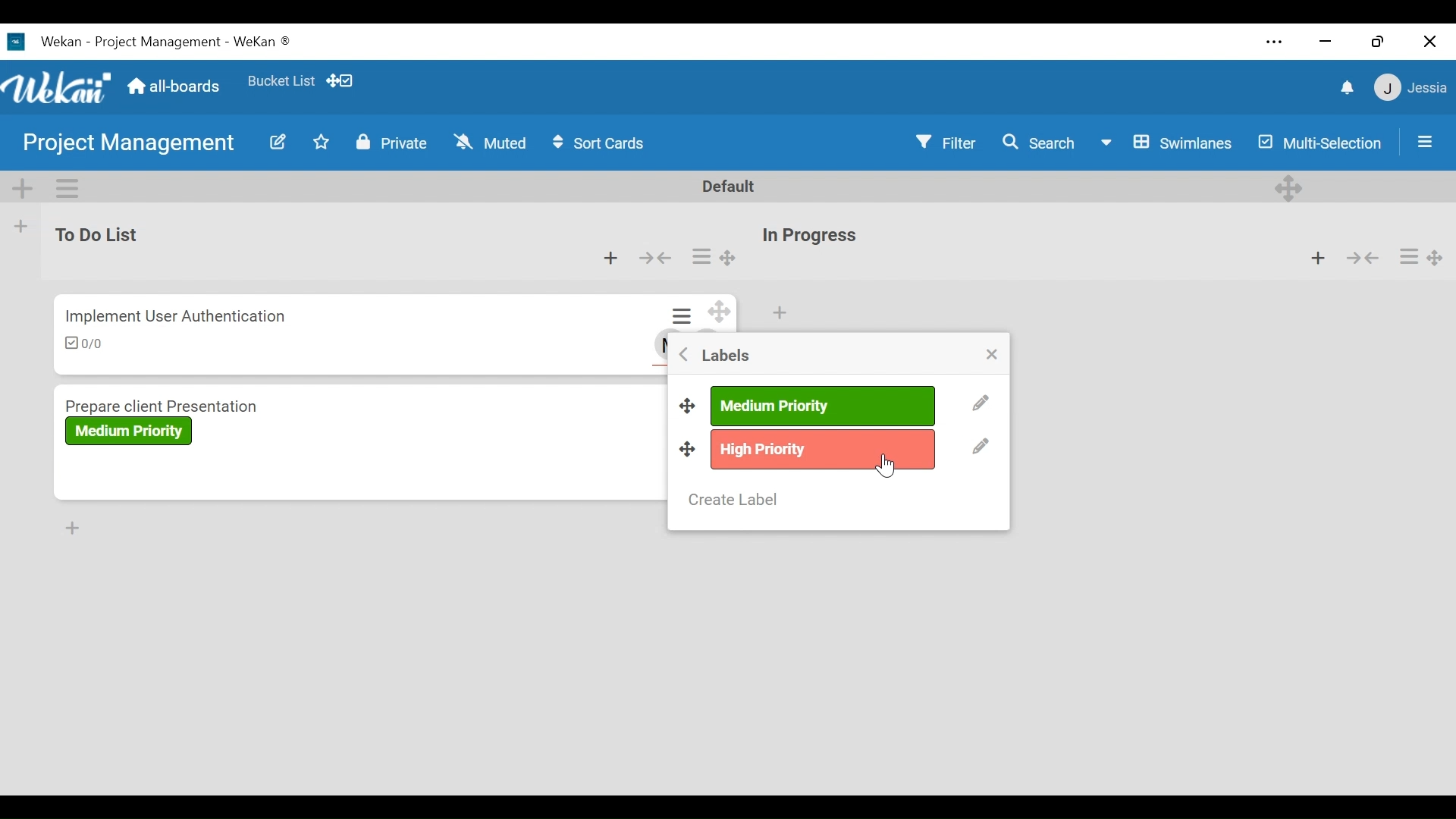 The height and width of the screenshot is (819, 1456). What do you see at coordinates (281, 80) in the screenshot?
I see `Favorites` at bounding box center [281, 80].